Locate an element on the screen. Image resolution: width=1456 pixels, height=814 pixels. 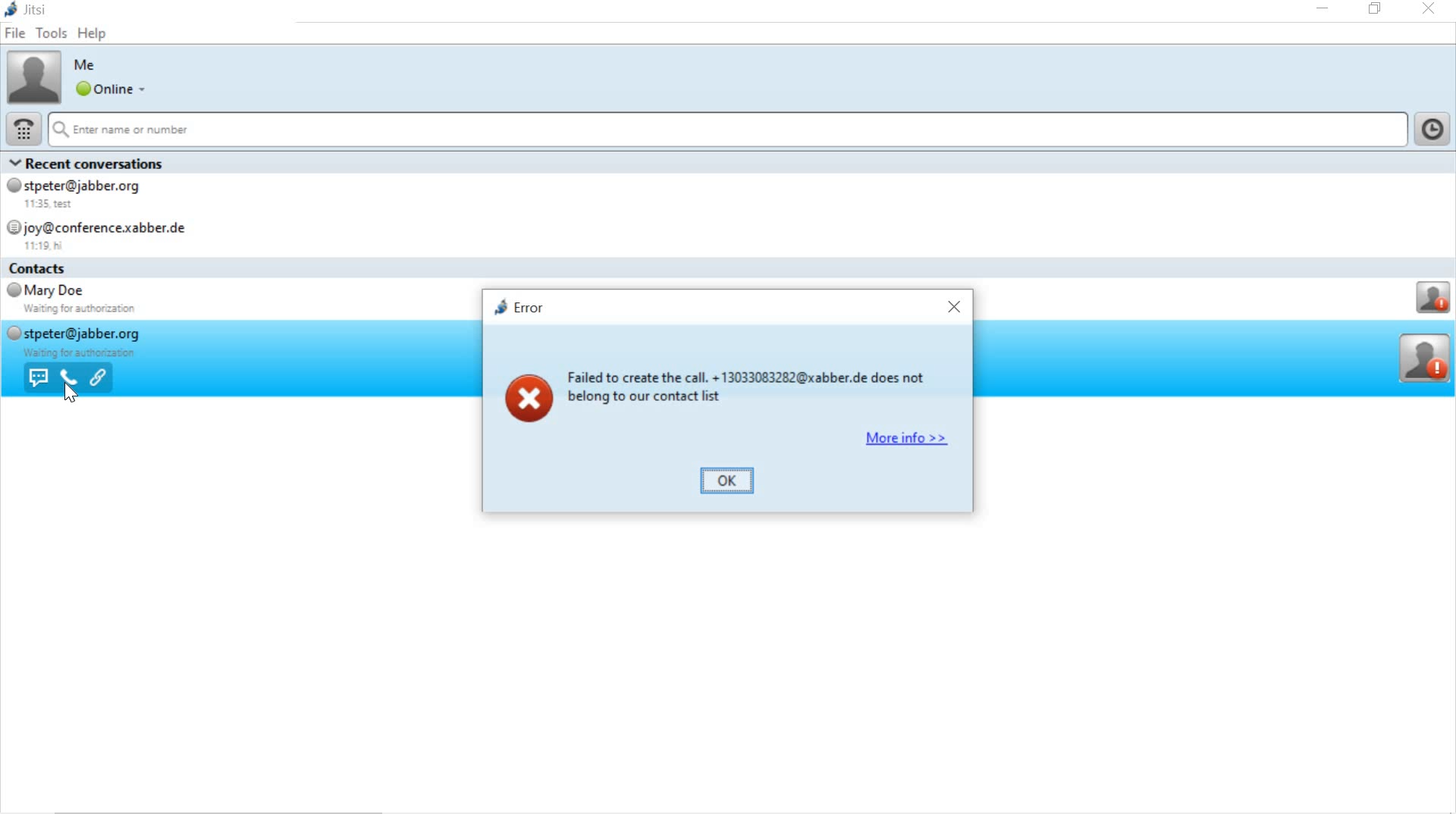
close is located at coordinates (1429, 9).